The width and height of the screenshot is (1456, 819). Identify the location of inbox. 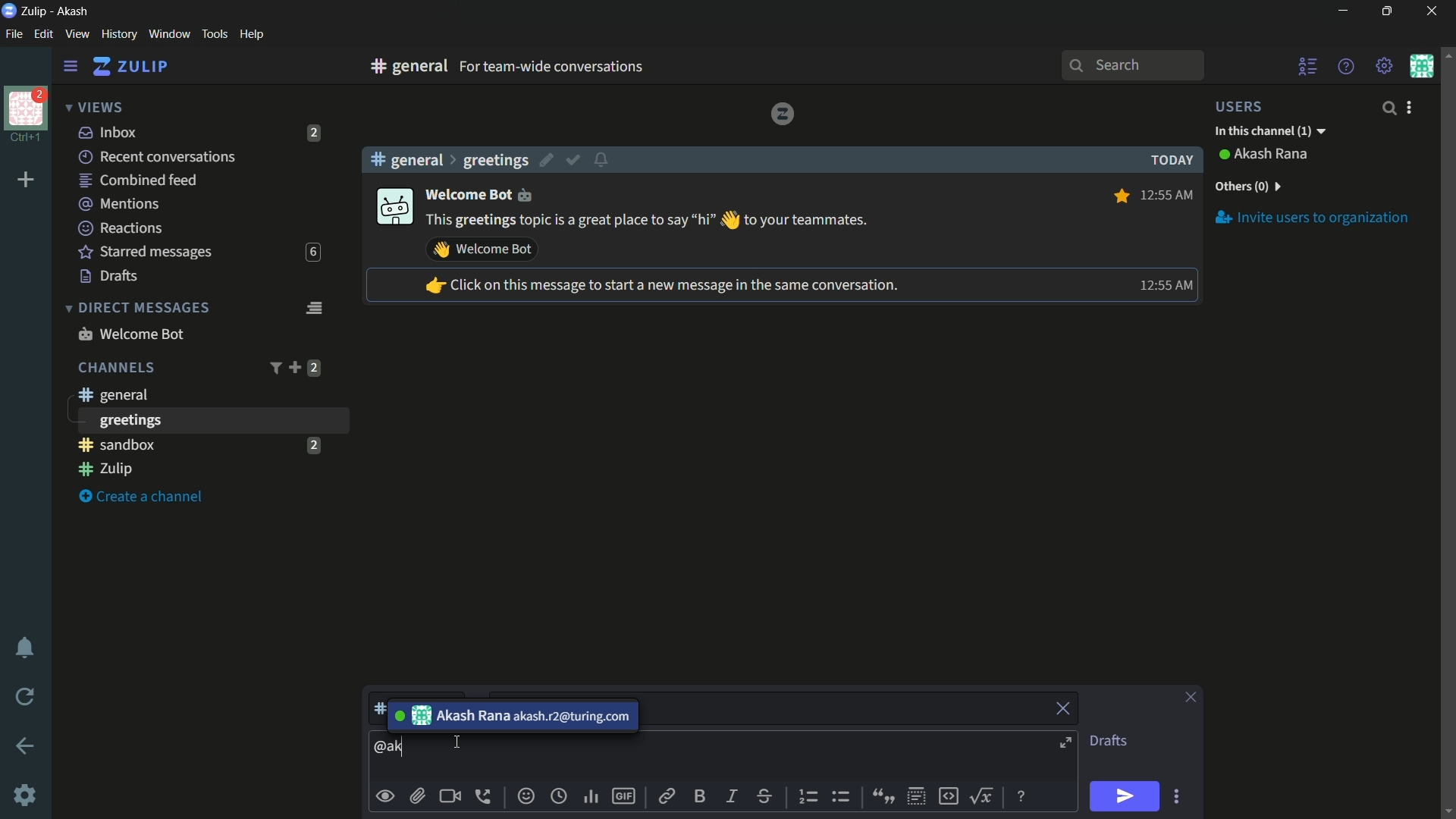
(108, 132).